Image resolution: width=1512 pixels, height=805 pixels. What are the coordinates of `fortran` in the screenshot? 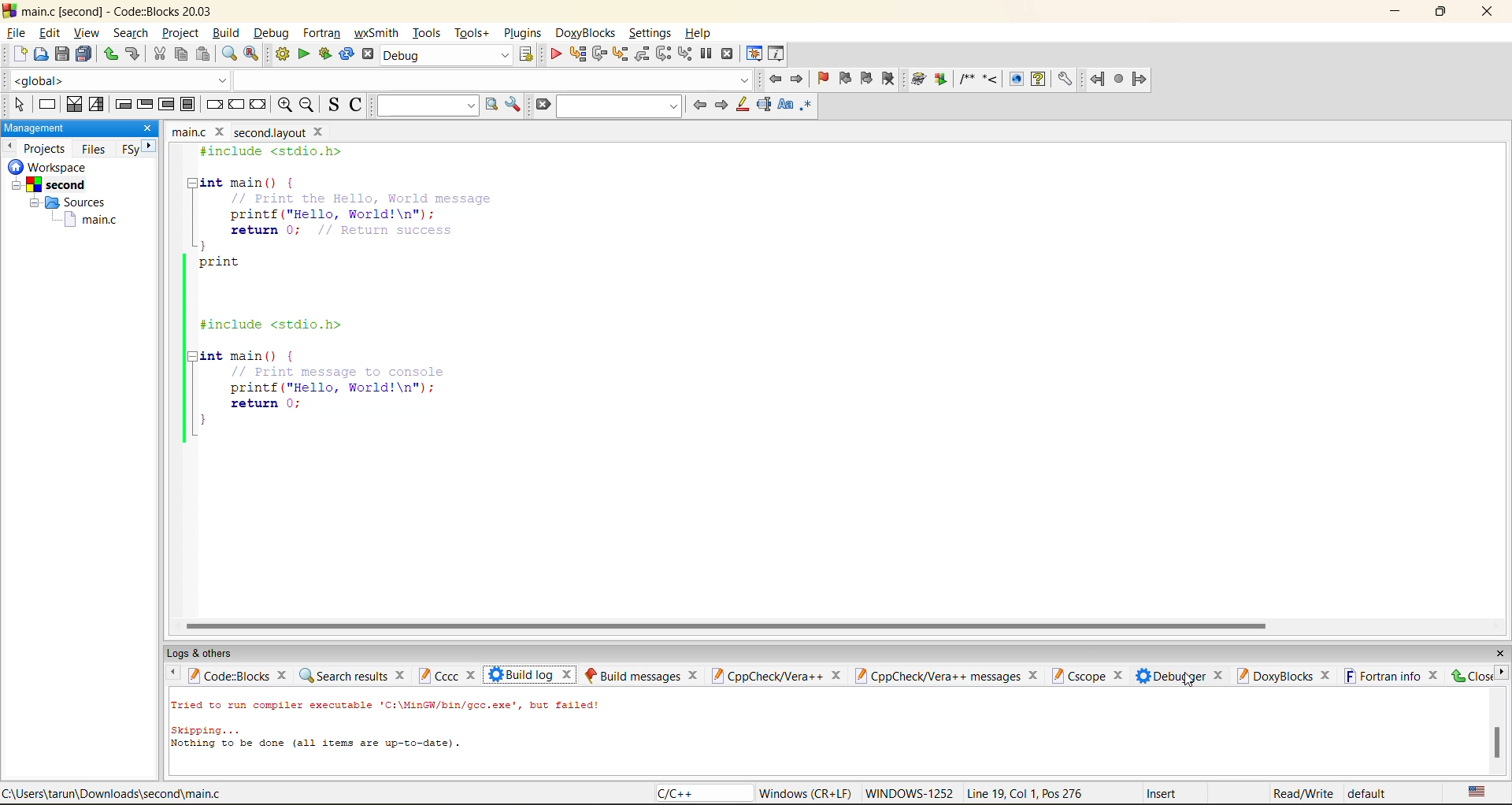 It's located at (1119, 81).